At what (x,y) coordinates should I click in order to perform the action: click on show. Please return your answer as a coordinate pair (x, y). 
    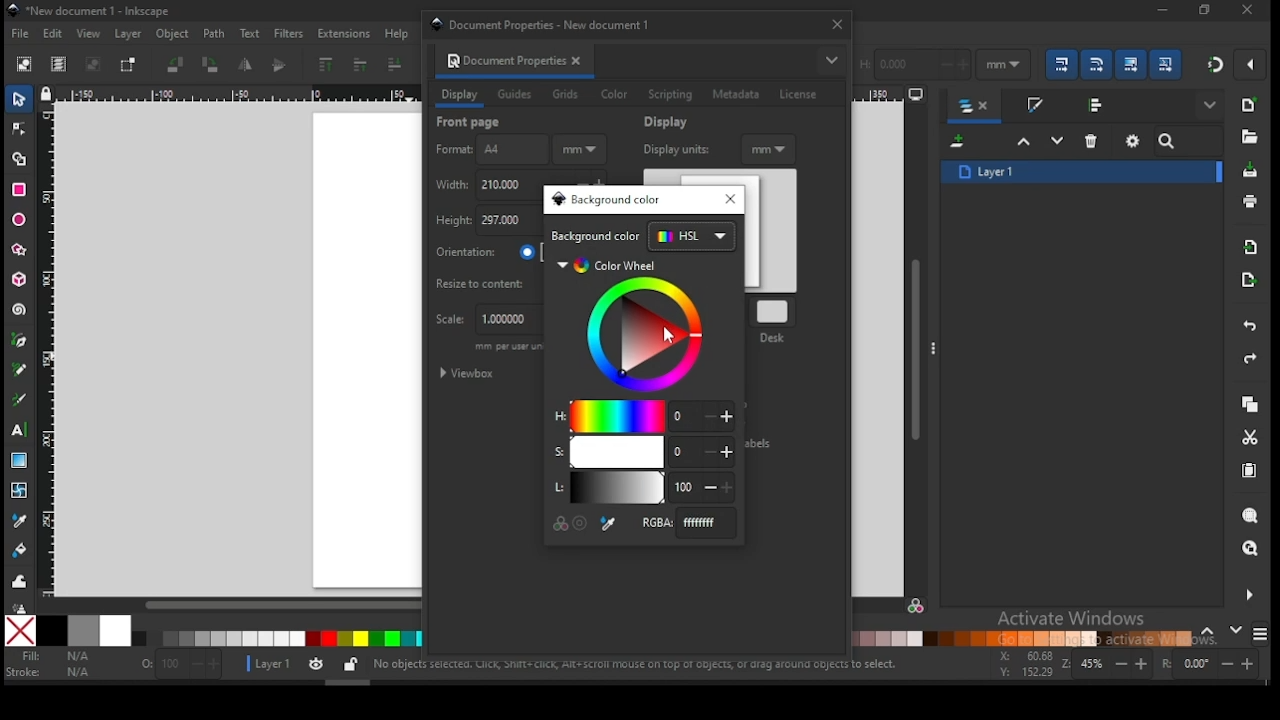
    Looking at the image, I should click on (1212, 106).